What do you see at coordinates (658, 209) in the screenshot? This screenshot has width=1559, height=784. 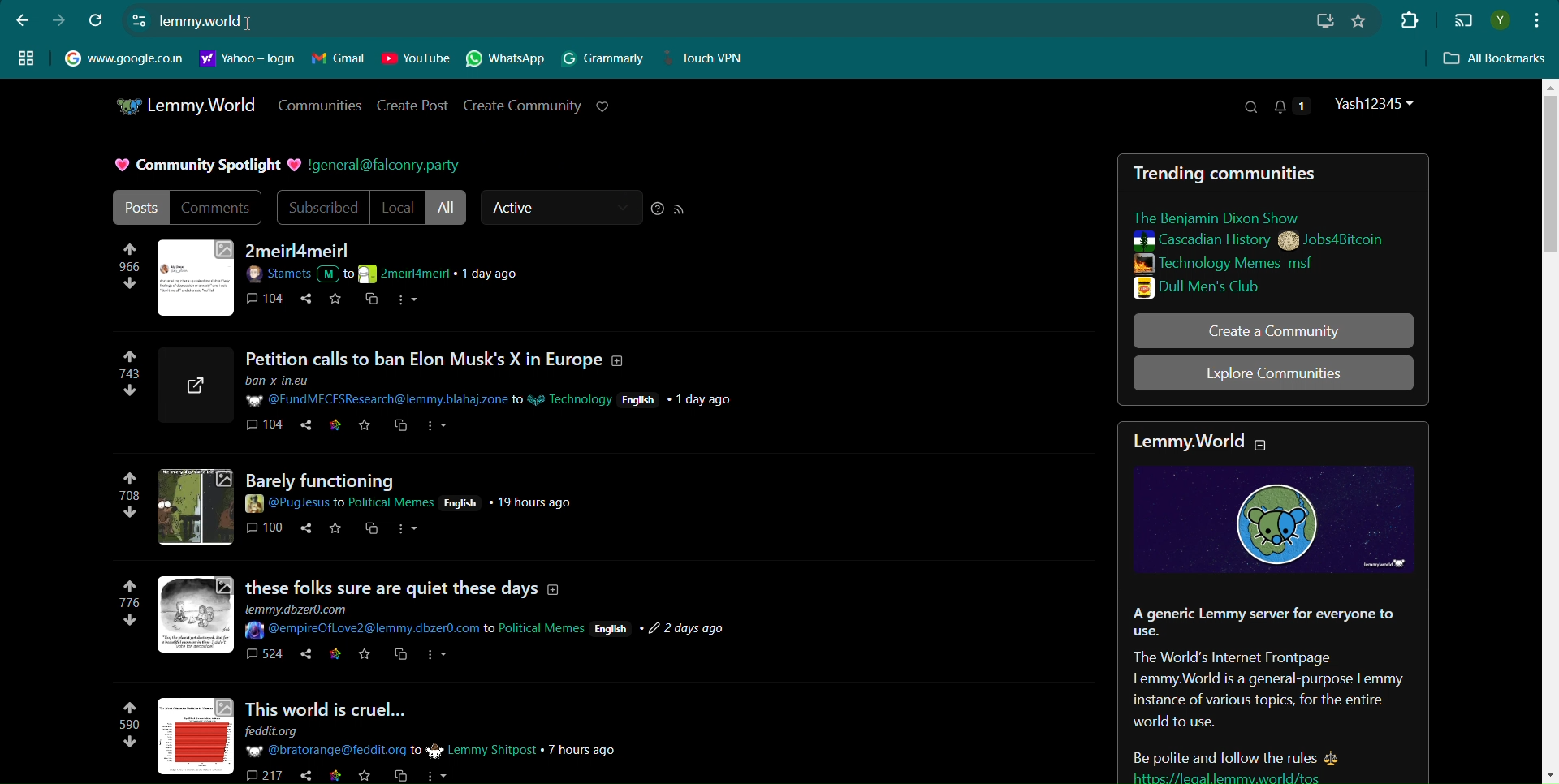 I see `Sorting help` at bounding box center [658, 209].